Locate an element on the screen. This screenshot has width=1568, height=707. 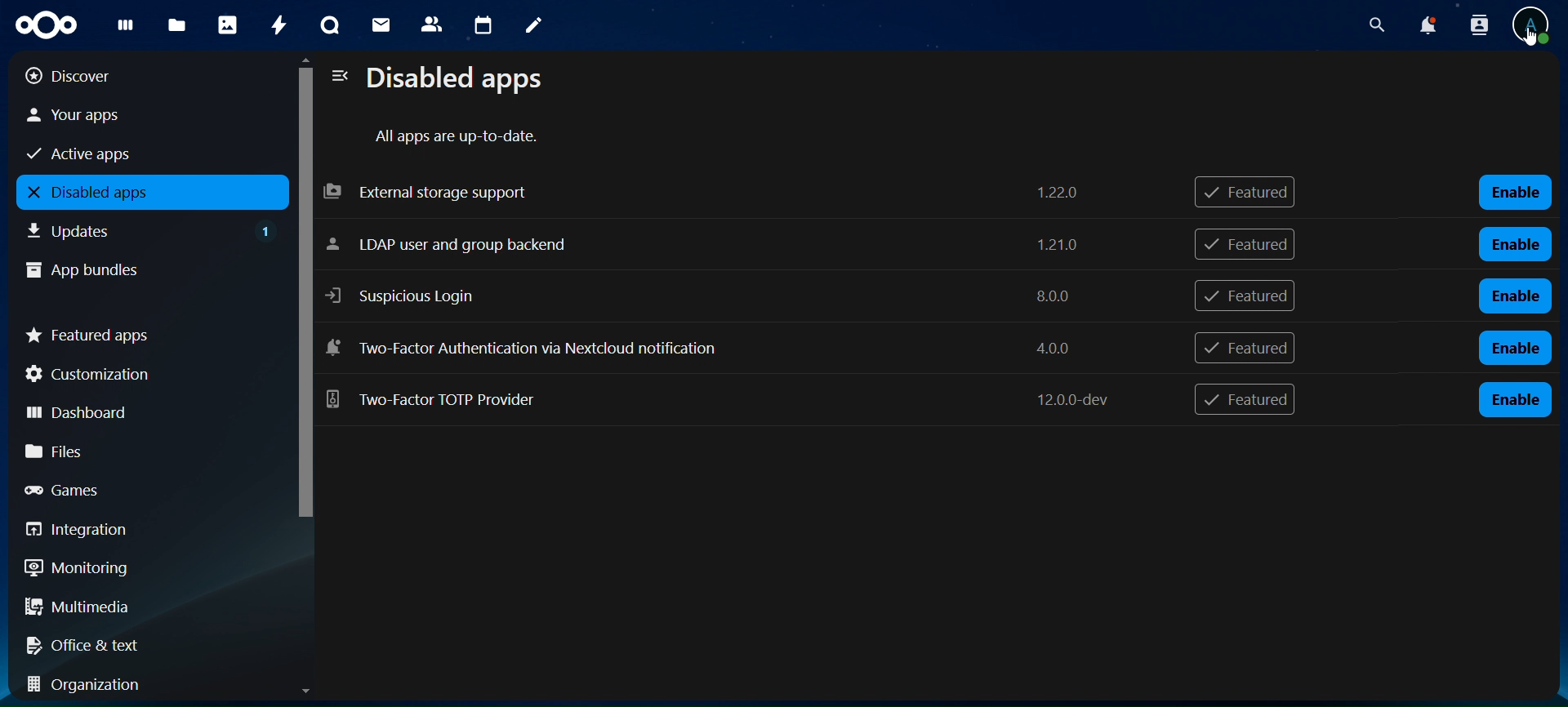
files is located at coordinates (143, 451).